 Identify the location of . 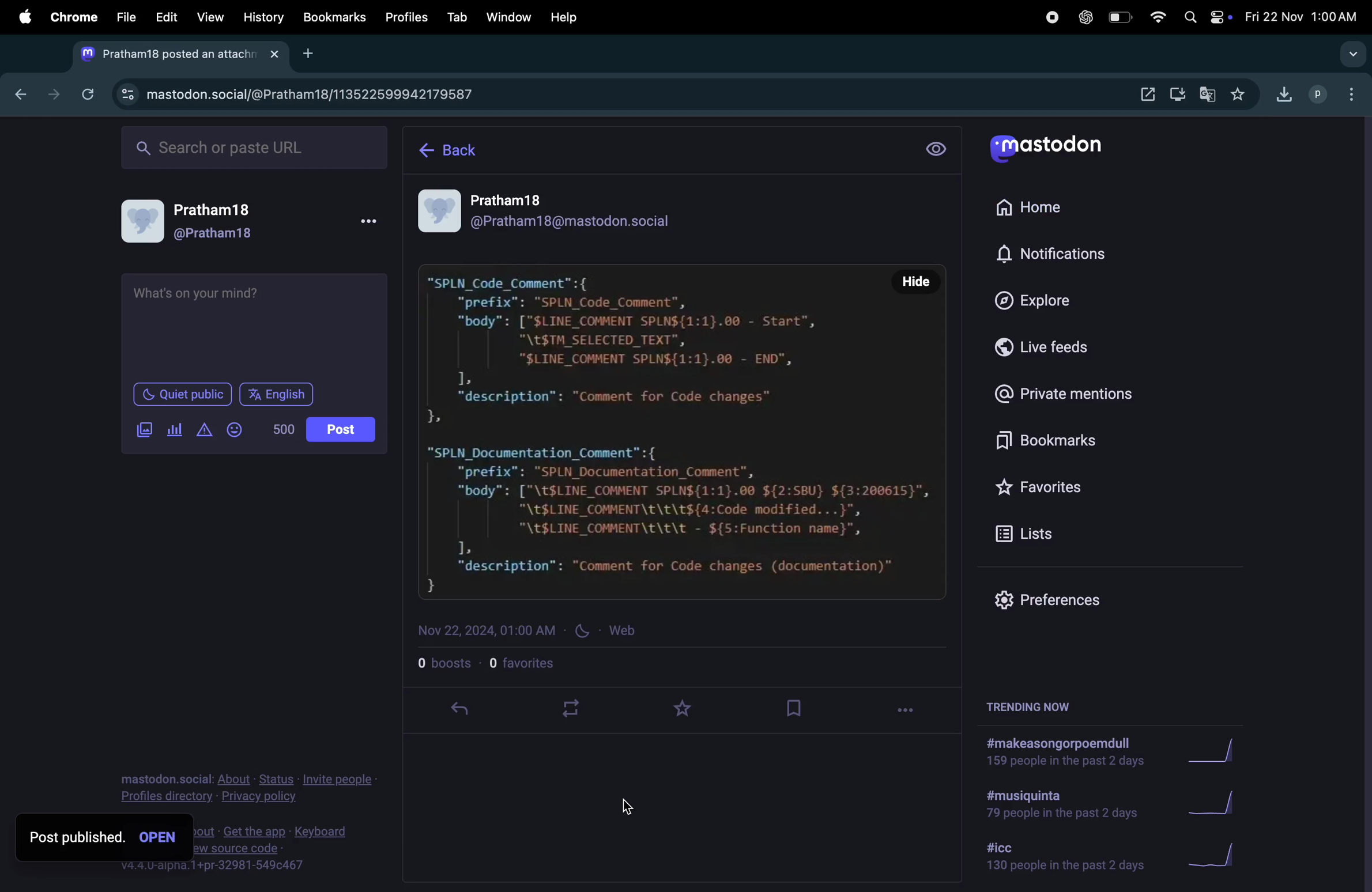
(404, 19).